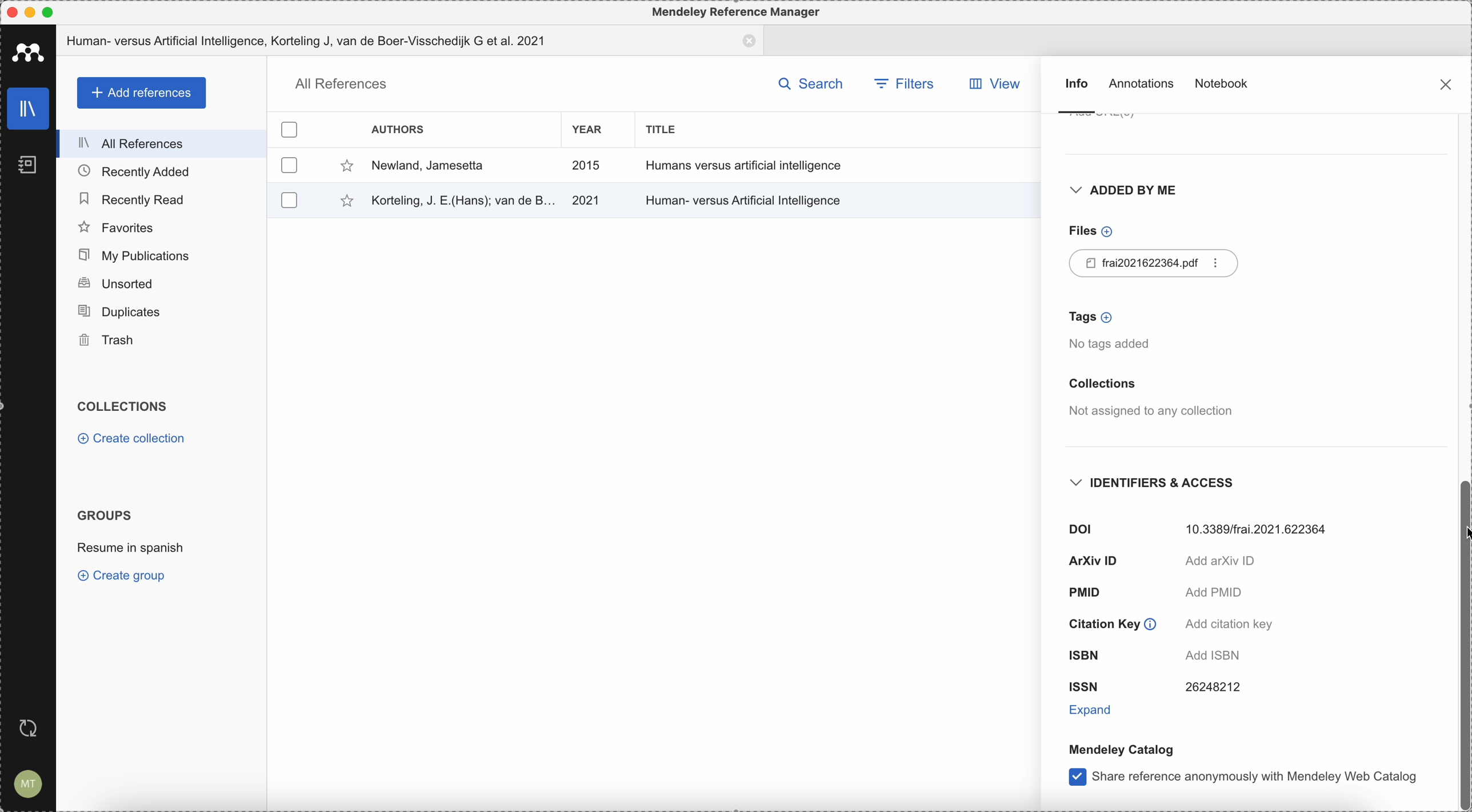 The image size is (1472, 812). What do you see at coordinates (461, 199) in the screenshot?
I see `Korteling, J.E(Hans); van de B.` at bounding box center [461, 199].